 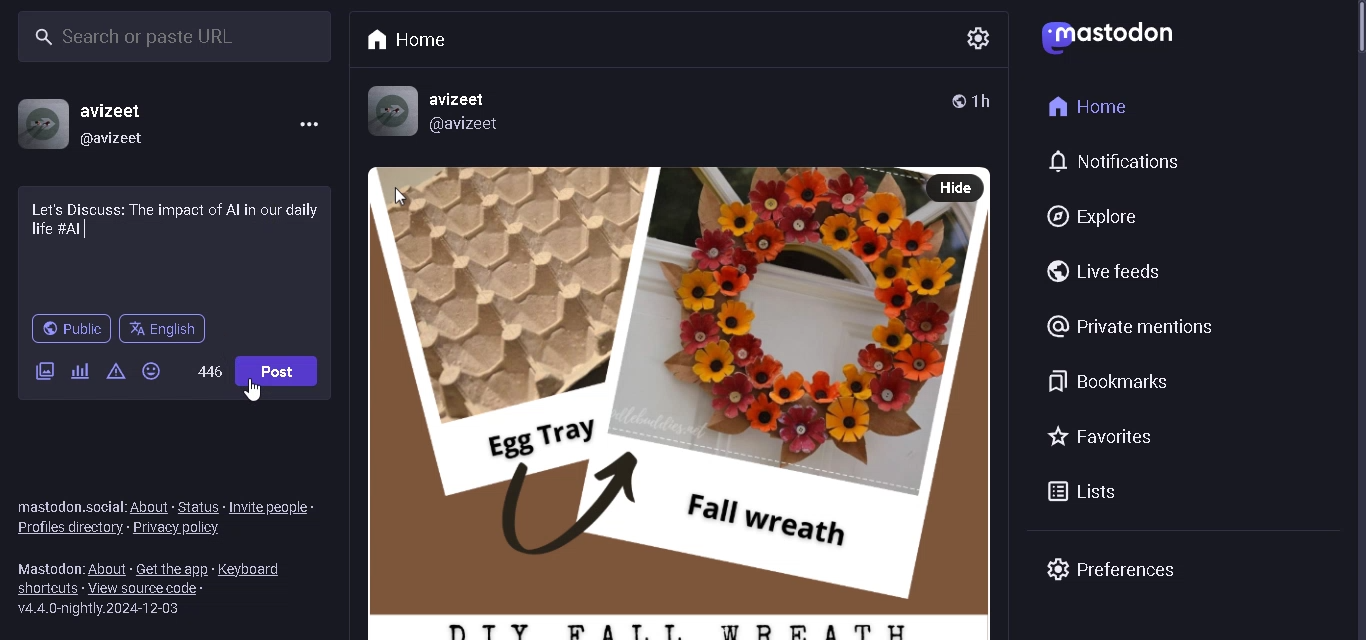 I want to click on TIME POSTED, so click(x=988, y=101).